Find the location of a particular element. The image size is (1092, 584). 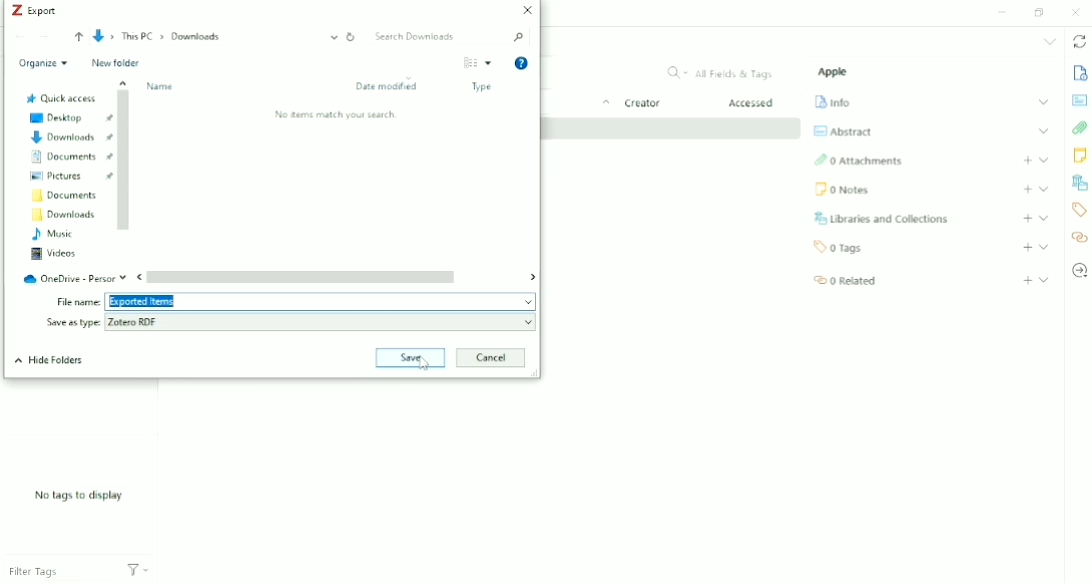

Desktop is located at coordinates (69, 117).